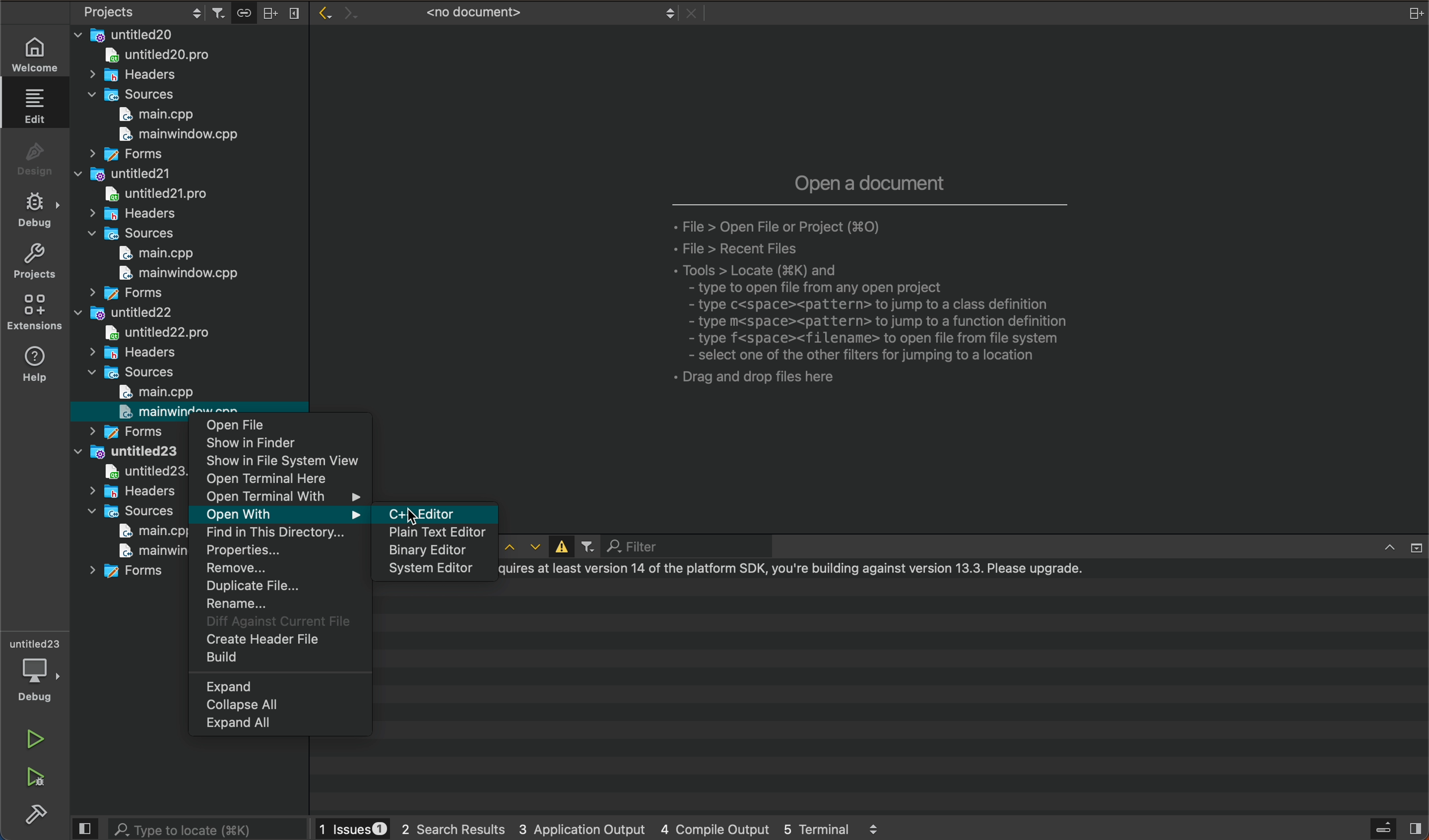  What do you see at coordinates (285, 443) in the screenshot?
I see `show` at bounding box center [285, 443].